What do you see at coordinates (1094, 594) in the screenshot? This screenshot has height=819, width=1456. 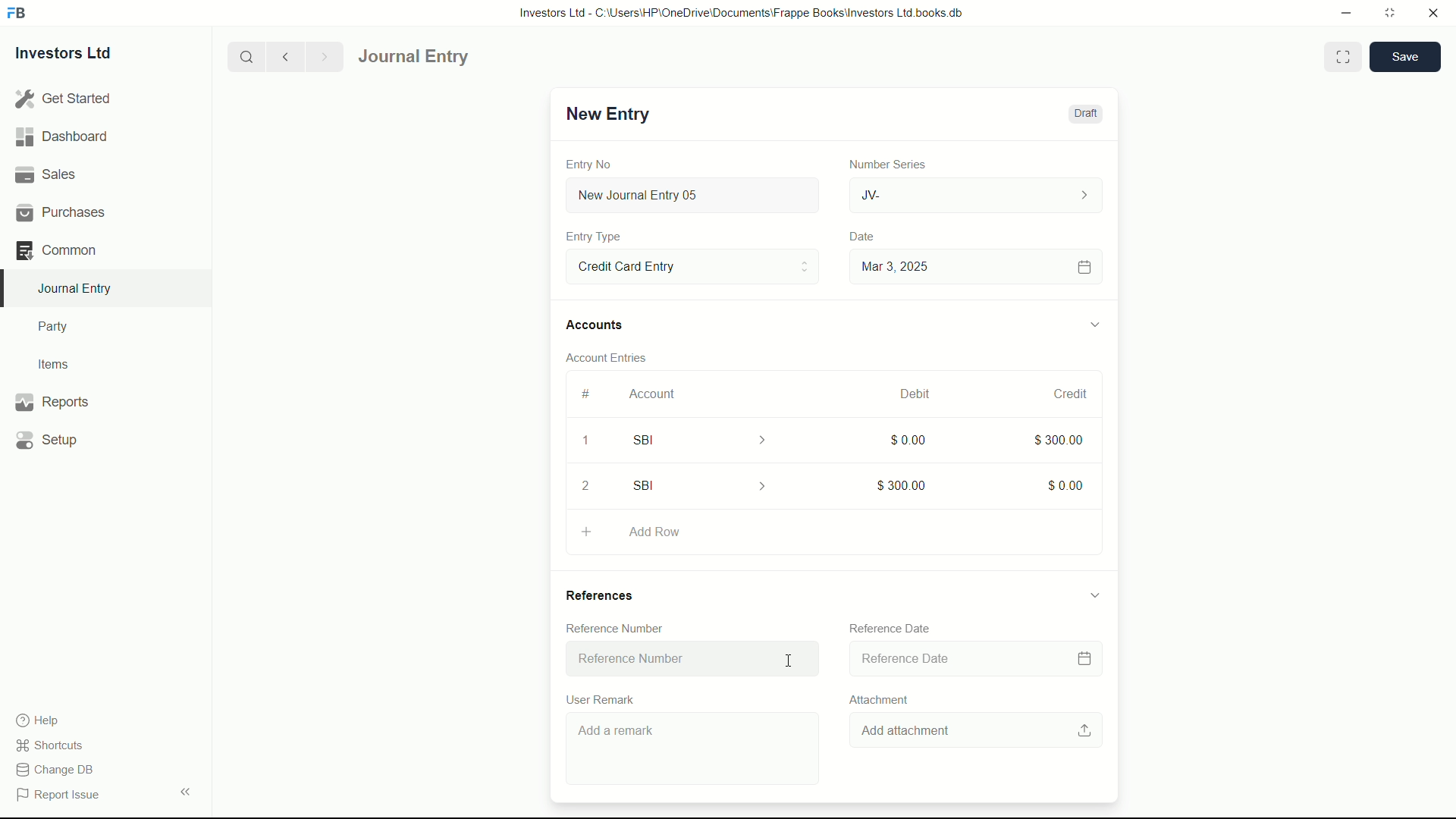 I see `expand/collapse` at bounding box center [1094, 594].